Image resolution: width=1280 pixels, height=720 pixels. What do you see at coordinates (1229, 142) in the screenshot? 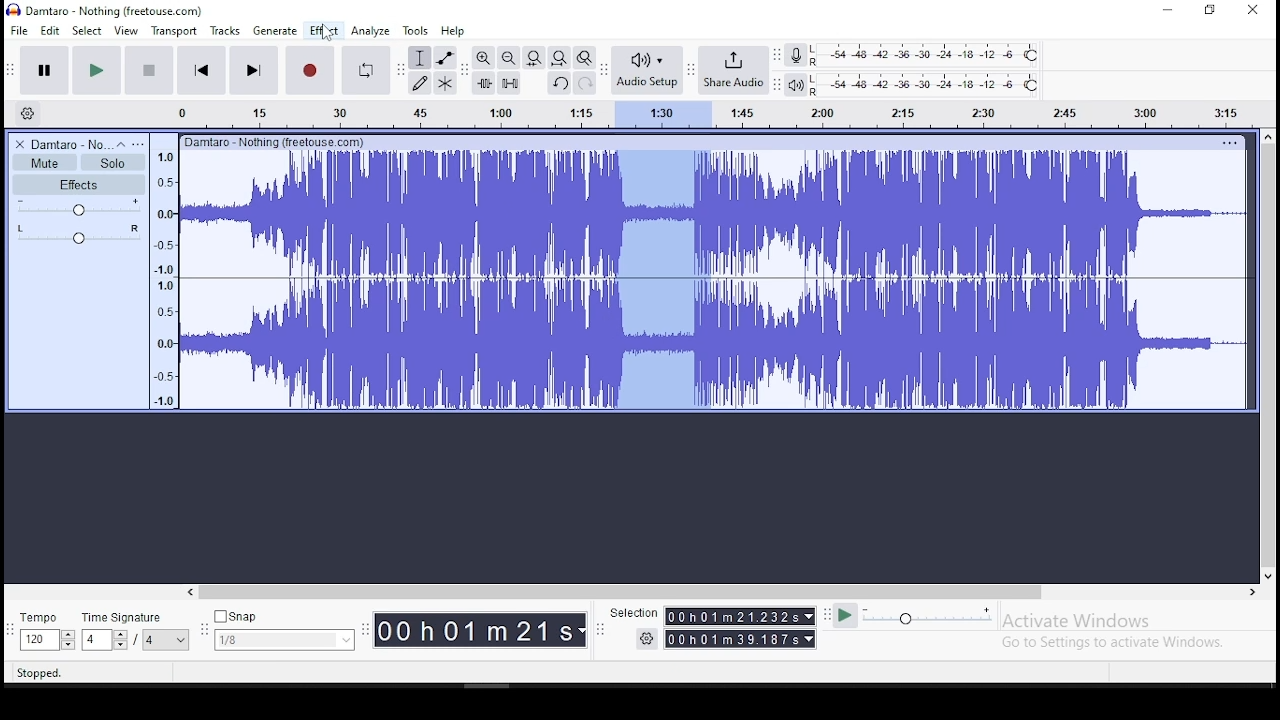
I see `` at bounding box center [1229, 142].